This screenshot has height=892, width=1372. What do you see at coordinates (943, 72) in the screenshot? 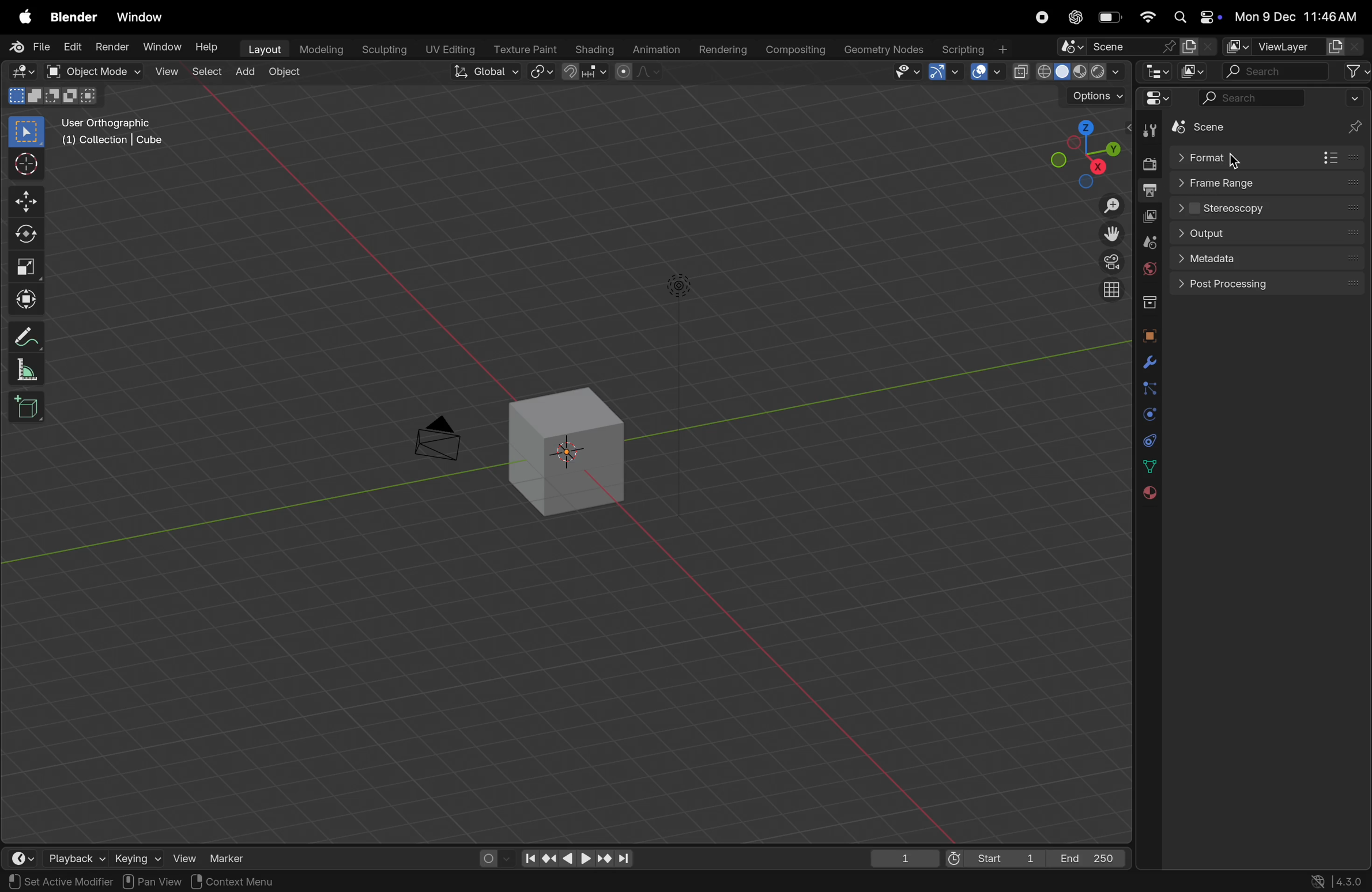
I see `show gimzo` at bounding box center [943, 72].